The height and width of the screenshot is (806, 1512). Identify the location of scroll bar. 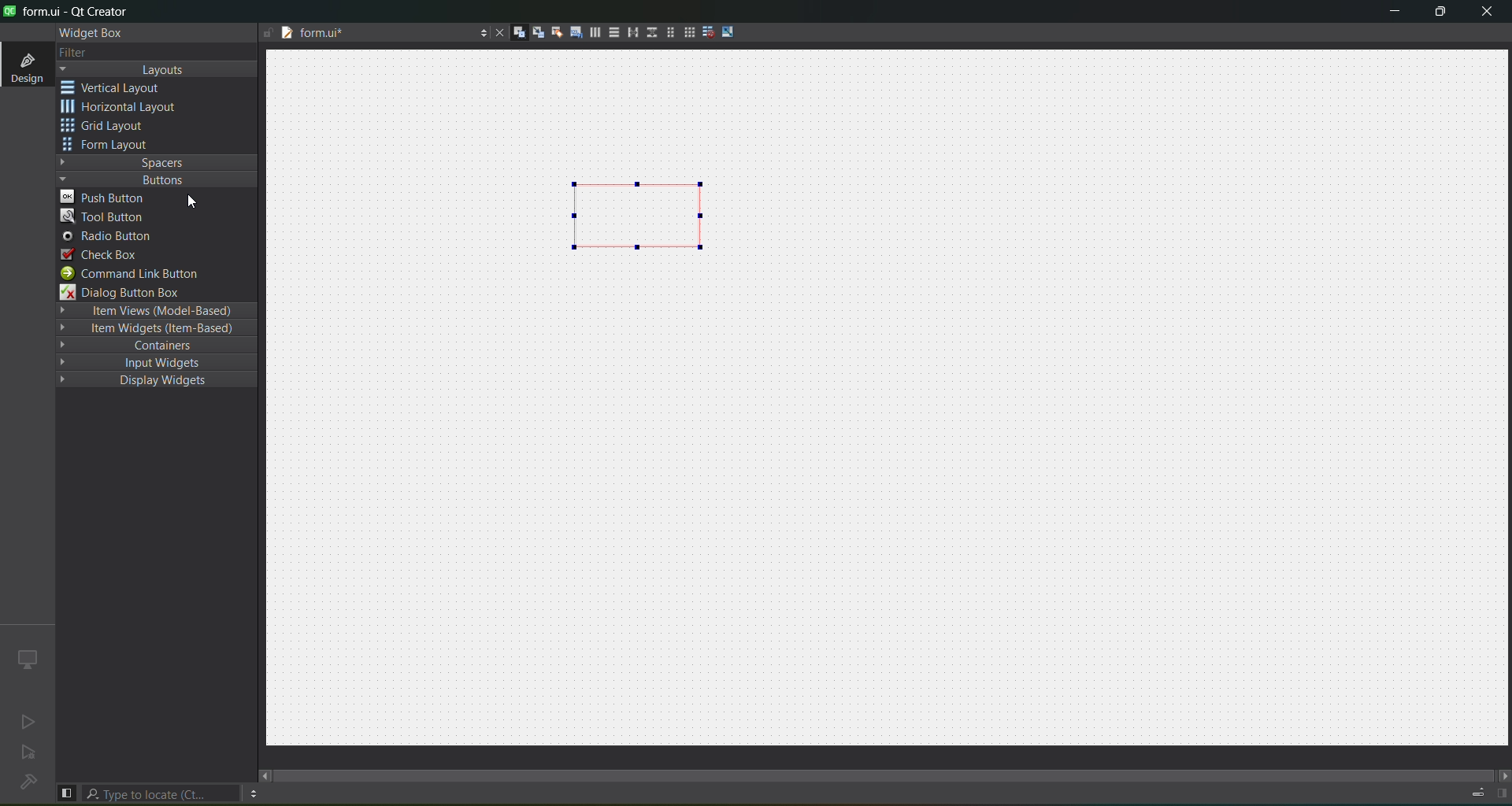
(885, 768).